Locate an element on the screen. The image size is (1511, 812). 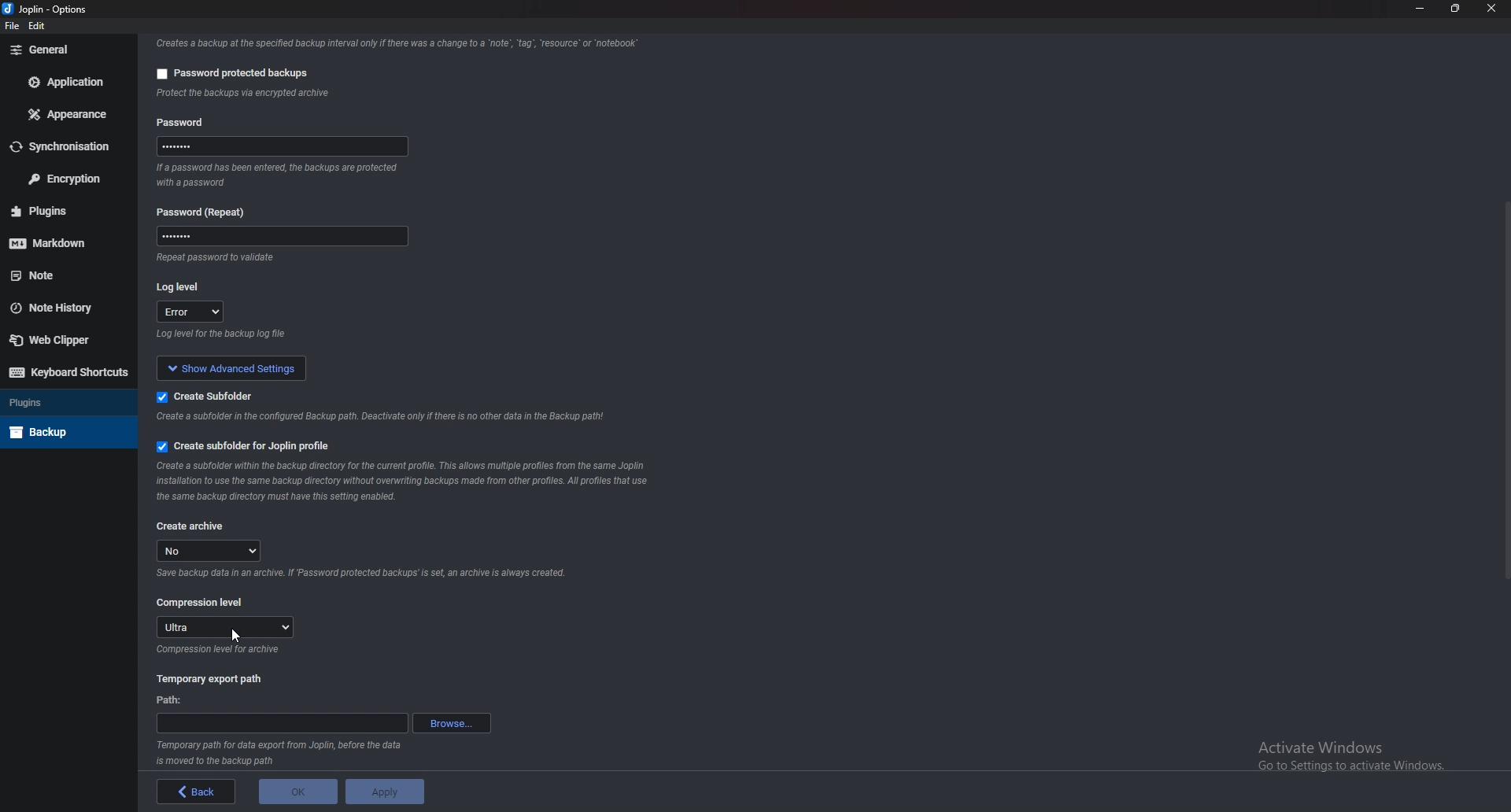
apply is located at coordinates (386, 792).